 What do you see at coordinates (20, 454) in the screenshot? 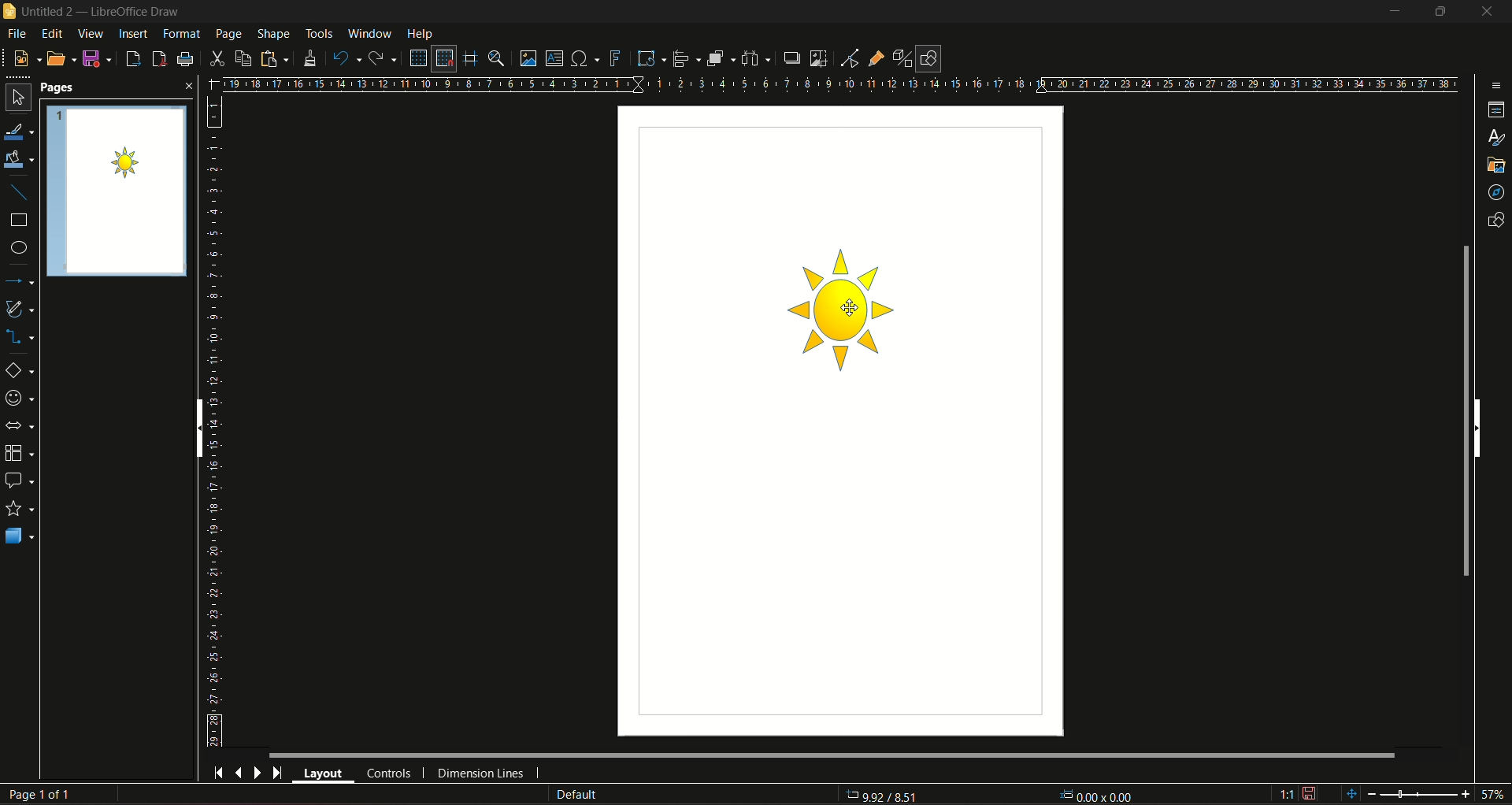
I see `flowchart` at bounding box center [20, 454].